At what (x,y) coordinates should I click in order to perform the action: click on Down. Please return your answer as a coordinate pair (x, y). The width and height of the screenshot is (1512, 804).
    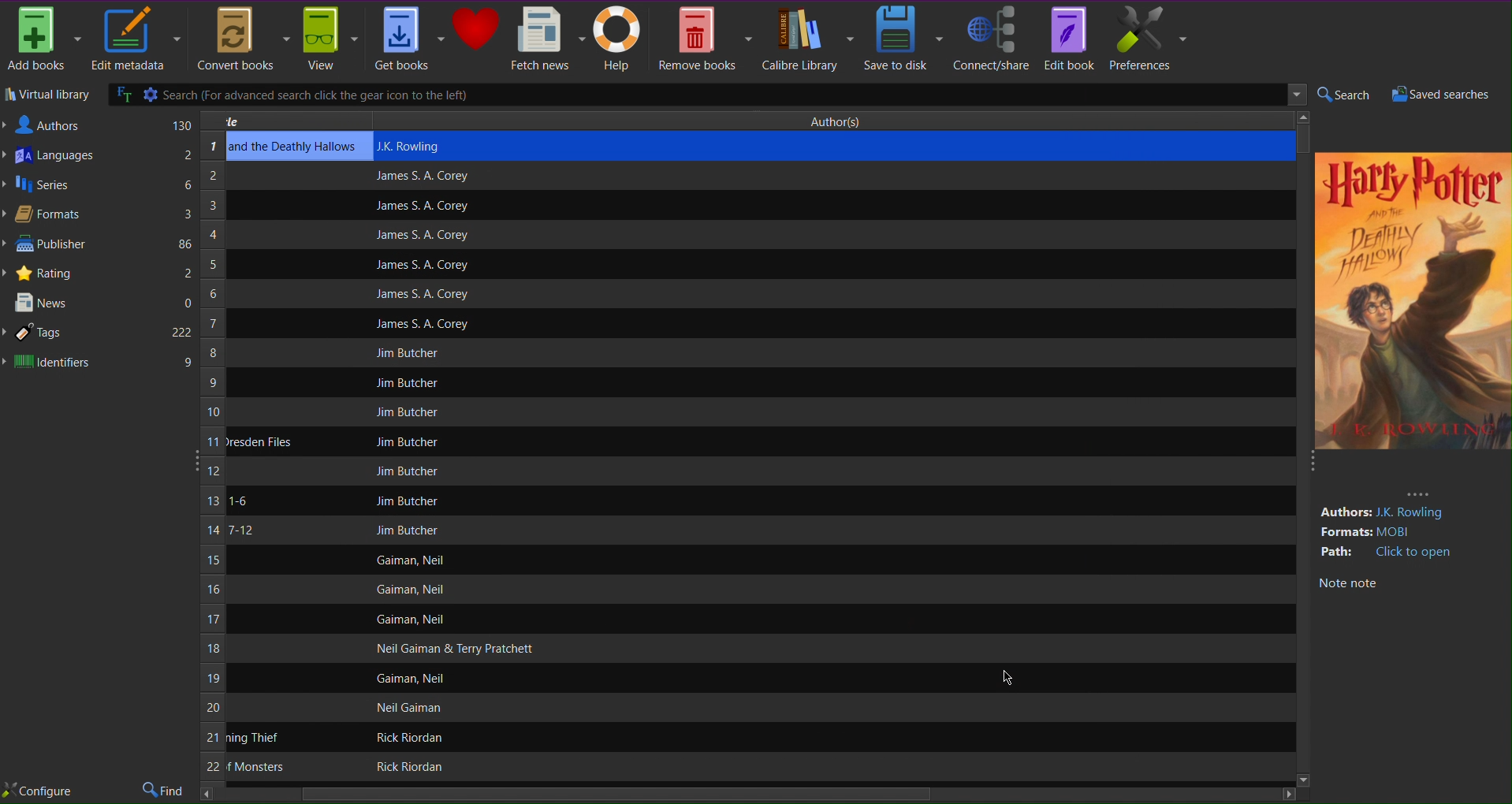
    Looking at the image, I should click on (1302, 779).